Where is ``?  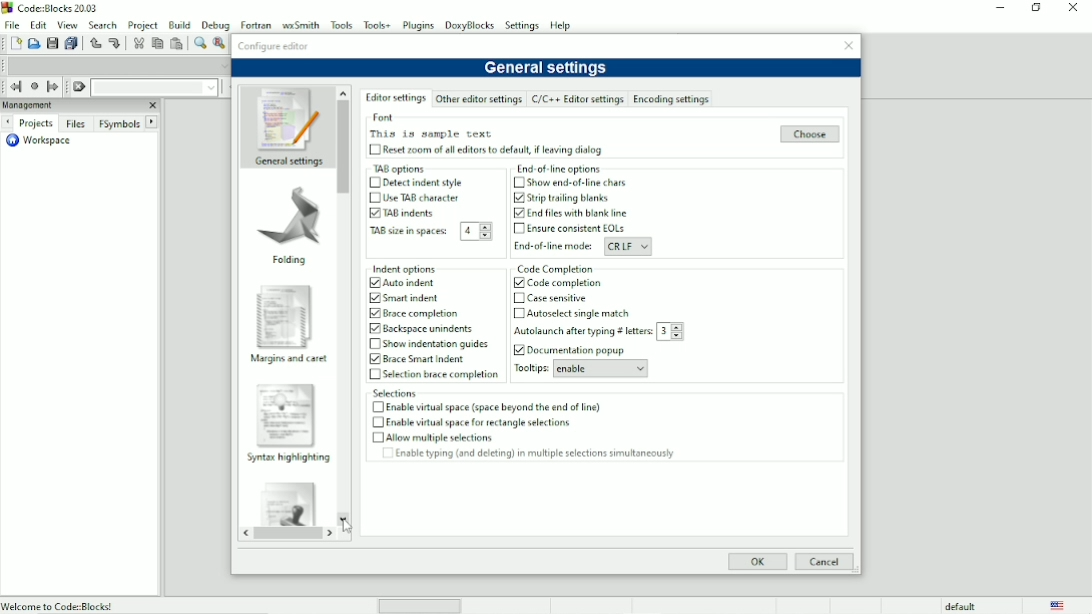
 is located at coordinates (517, 197).